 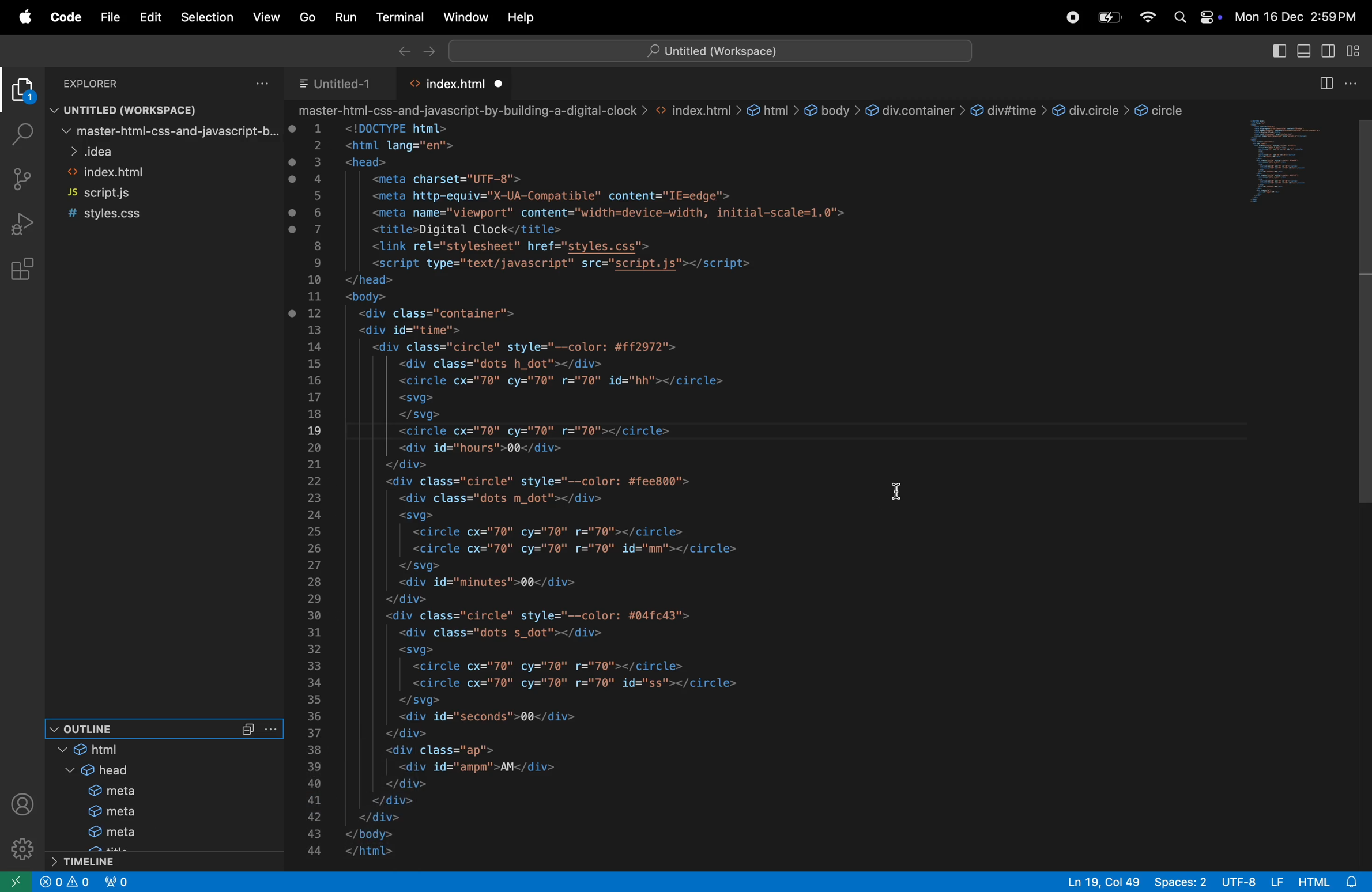 I want to click on backward, so click(x=400, y=50).